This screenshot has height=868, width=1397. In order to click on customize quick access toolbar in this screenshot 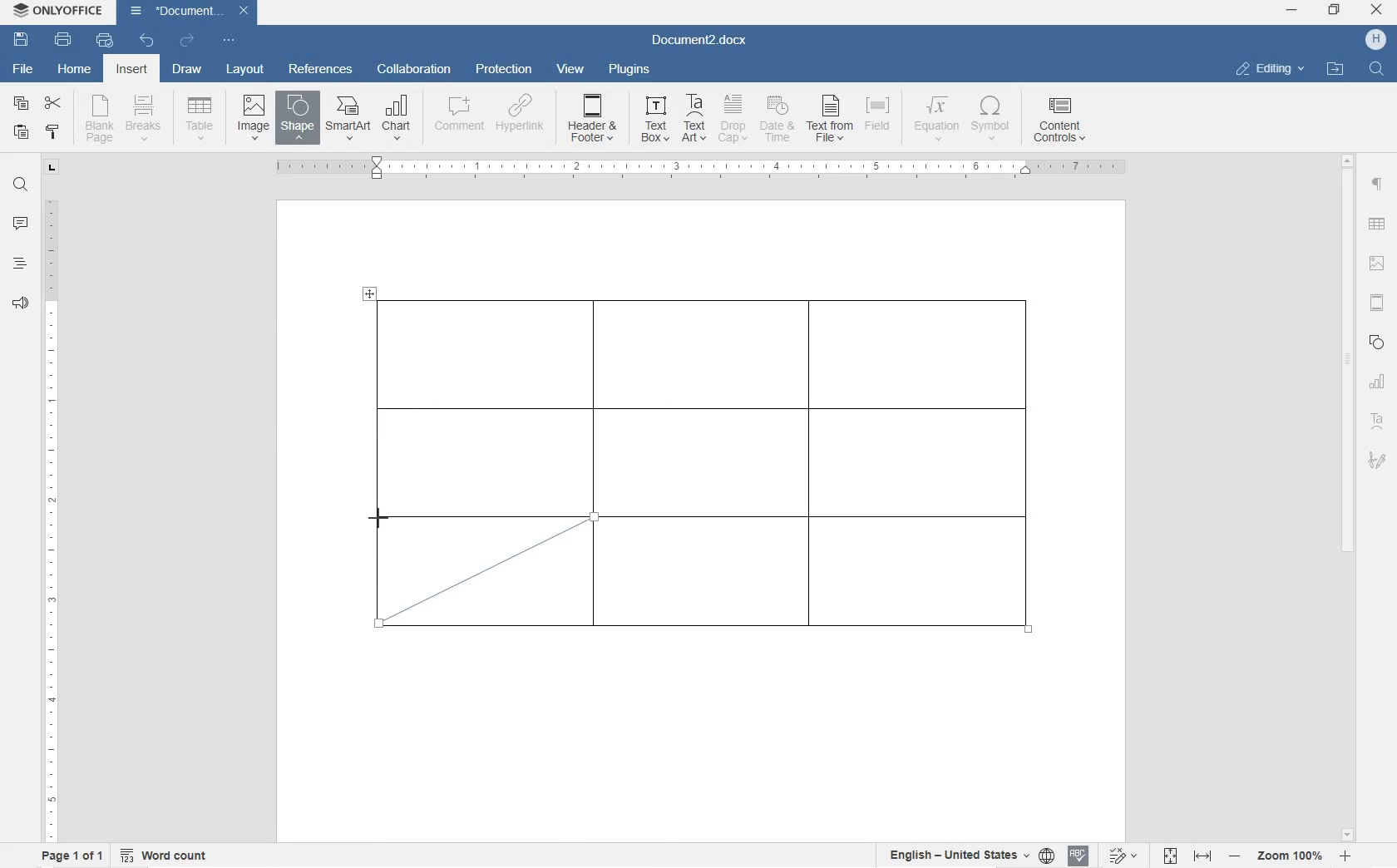, I will do `click(228, 40)`.